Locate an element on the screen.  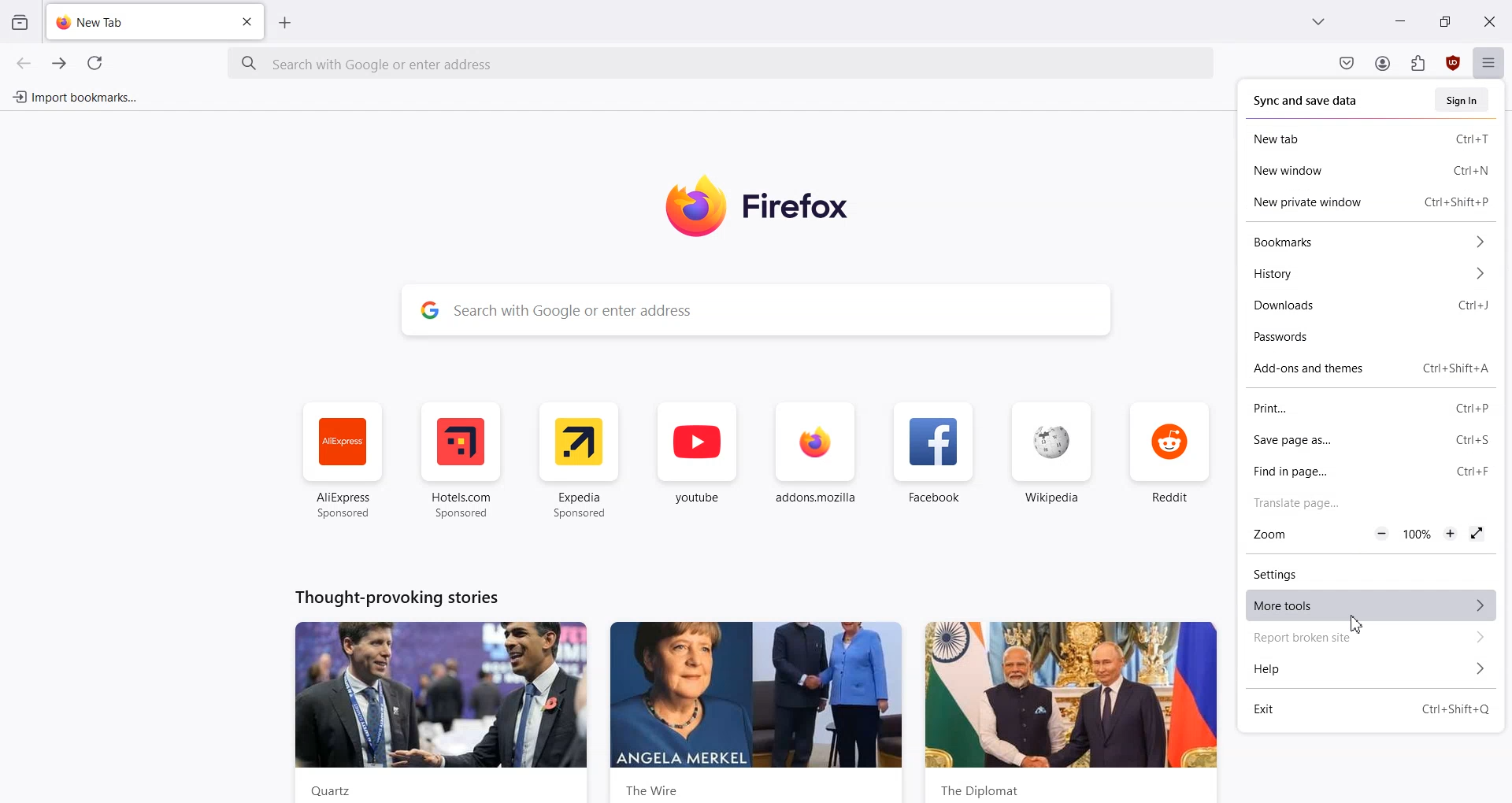
Close Tab is located at coordinates (249, 22).